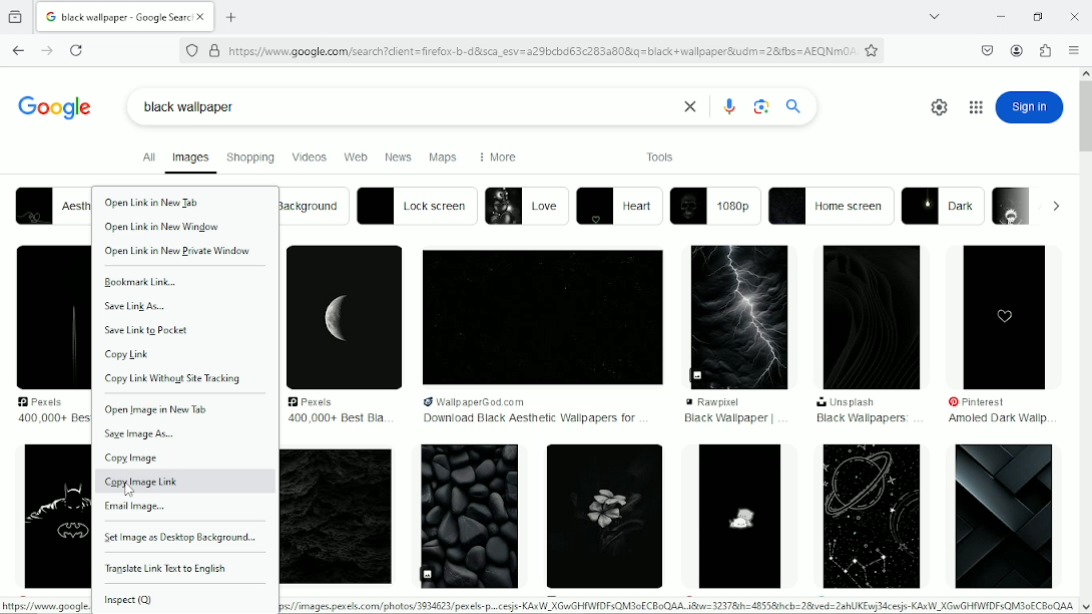 The height and width of the screenshot is (614, 1092). I want to click on black wallpaper image, so click(470, 516).